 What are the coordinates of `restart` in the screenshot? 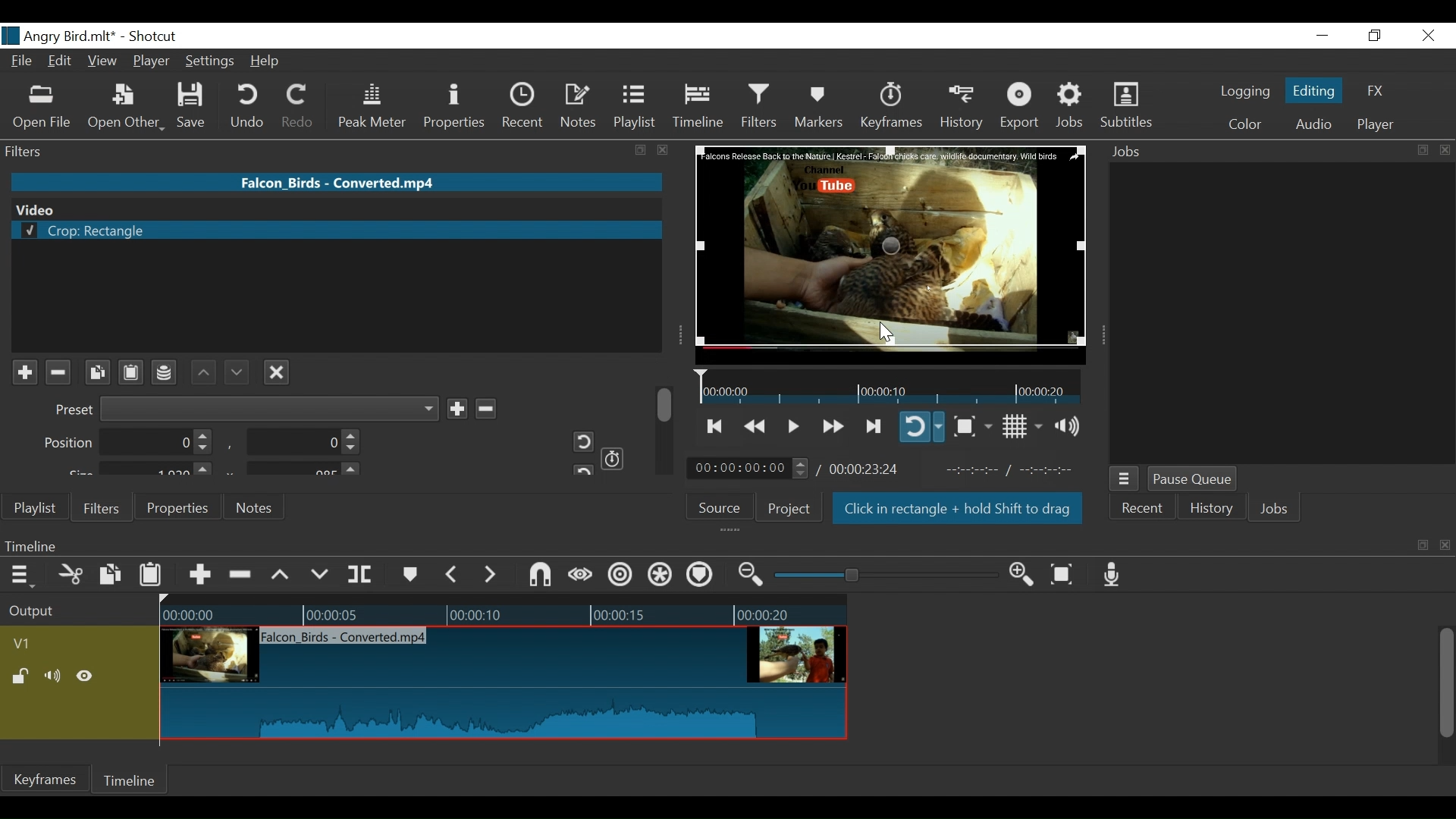 It's located at (581, 469).